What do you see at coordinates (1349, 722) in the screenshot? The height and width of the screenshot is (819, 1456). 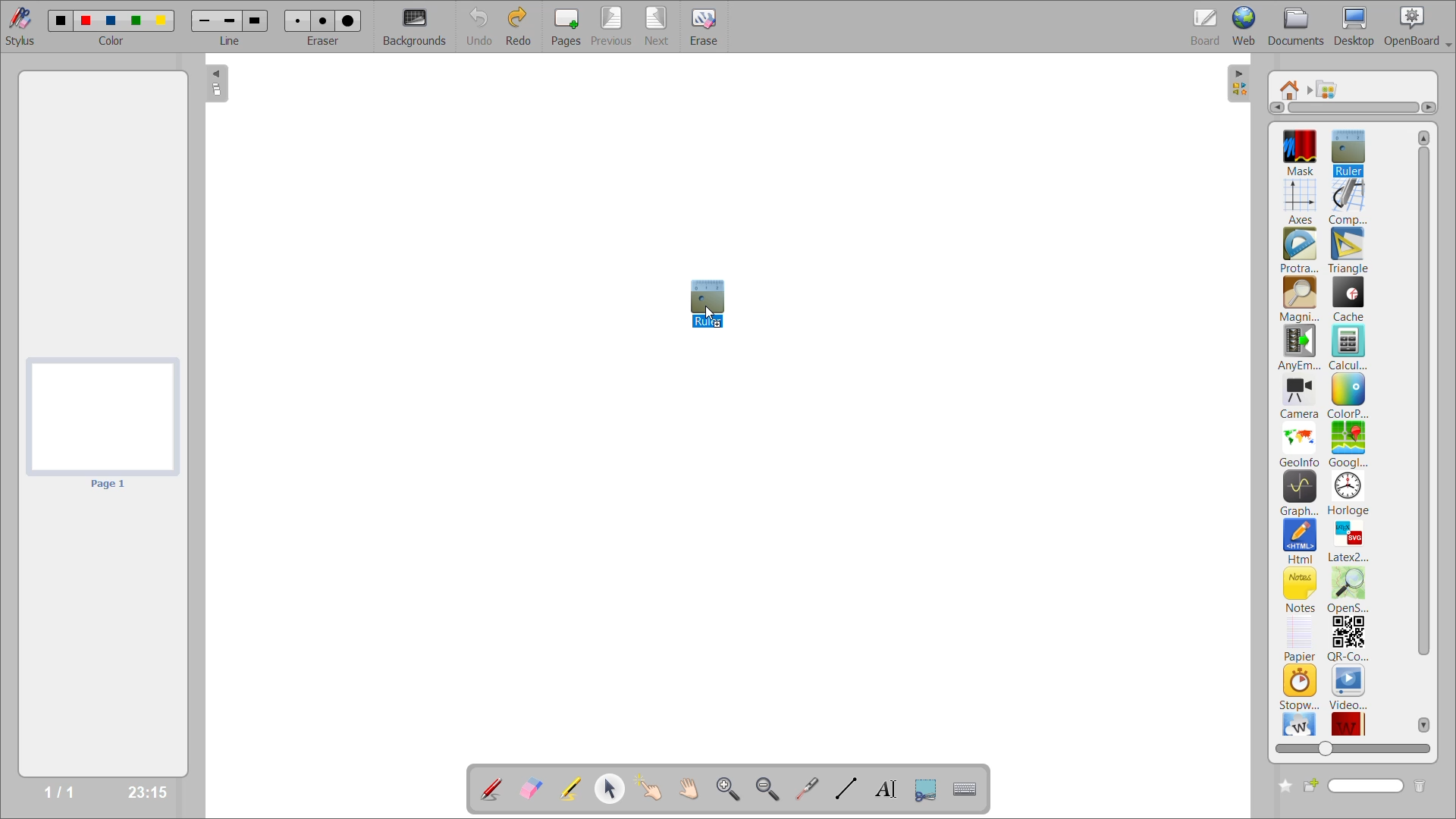 I see `wikittionary` at bounding box center [1349, 722].